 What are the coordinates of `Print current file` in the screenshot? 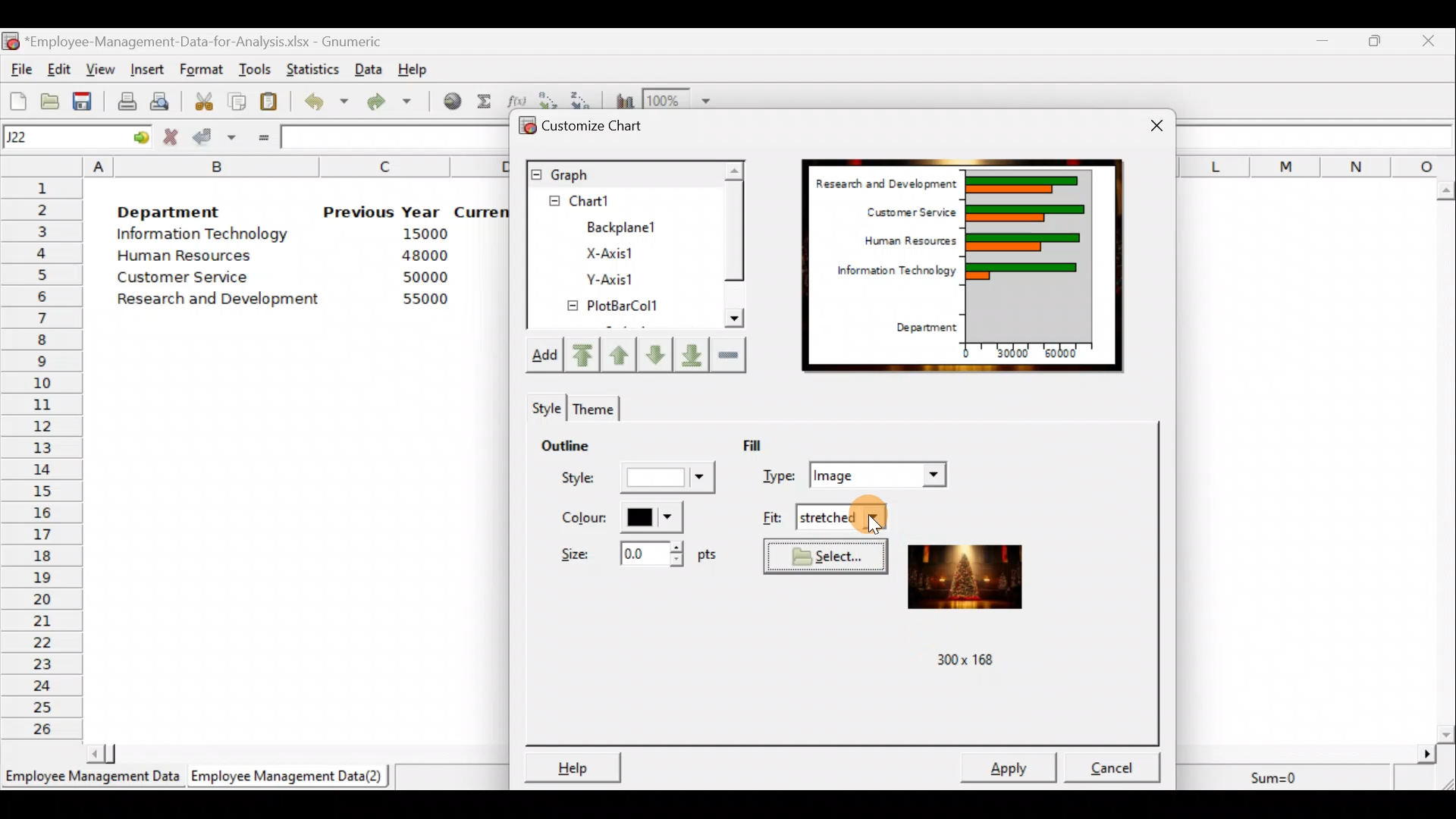 It's located at (124, 99).